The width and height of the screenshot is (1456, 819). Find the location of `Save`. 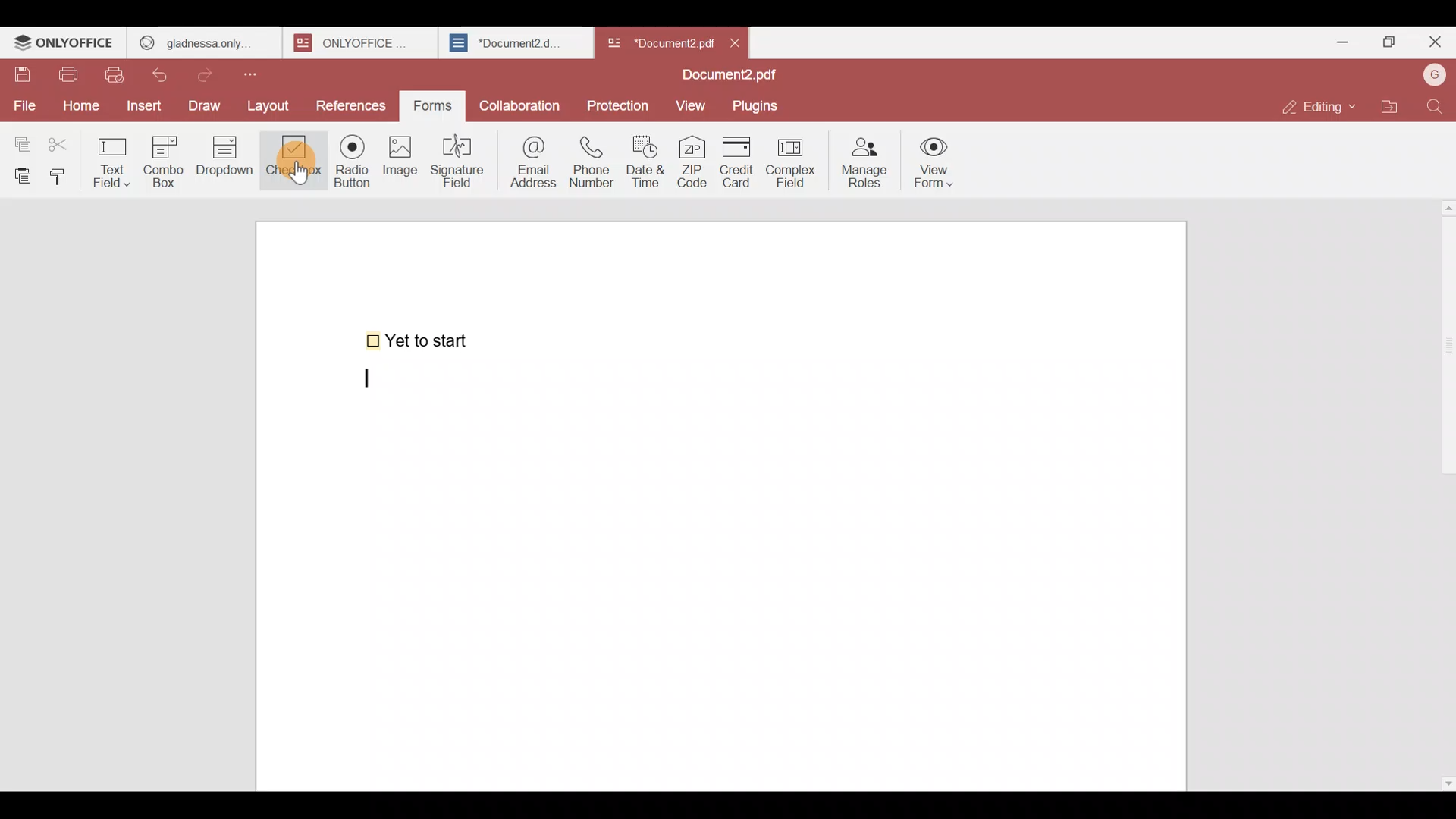

Save is located at coordinates (22, 75).